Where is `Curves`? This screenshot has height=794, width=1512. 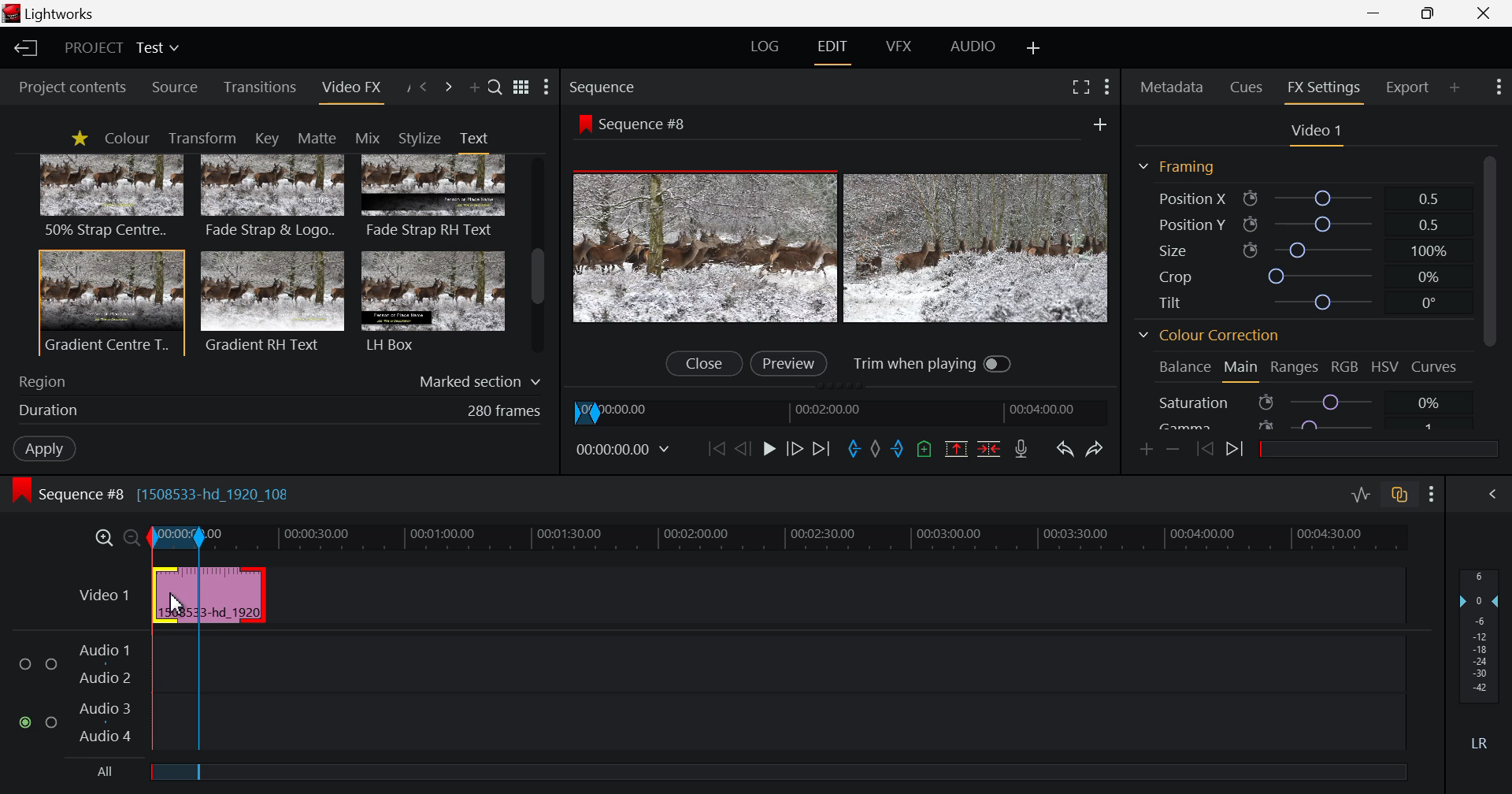 Curves is located at coordinates (1437, 365).